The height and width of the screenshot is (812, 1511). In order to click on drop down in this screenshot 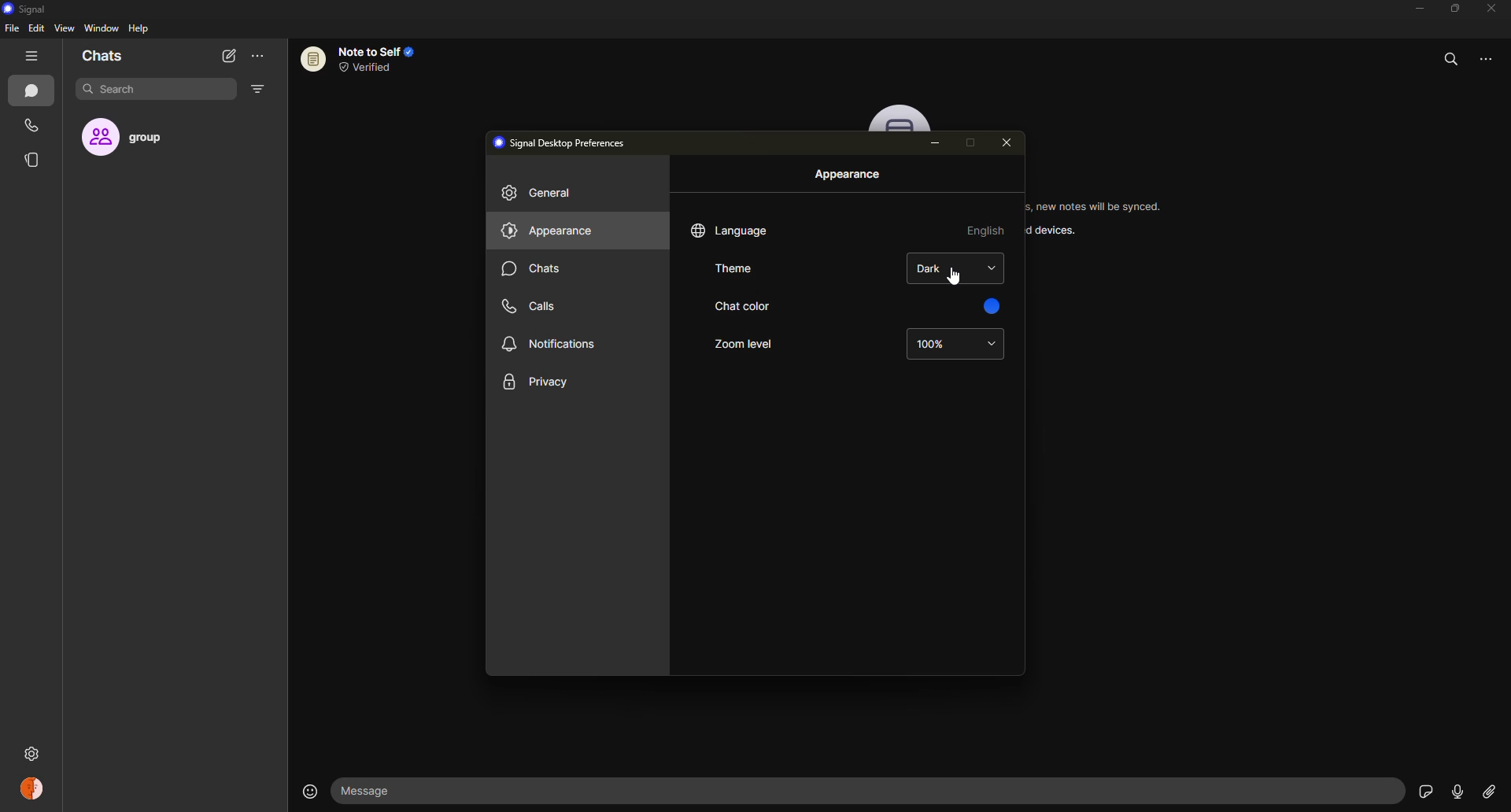, I will do `click(992, 268)`.